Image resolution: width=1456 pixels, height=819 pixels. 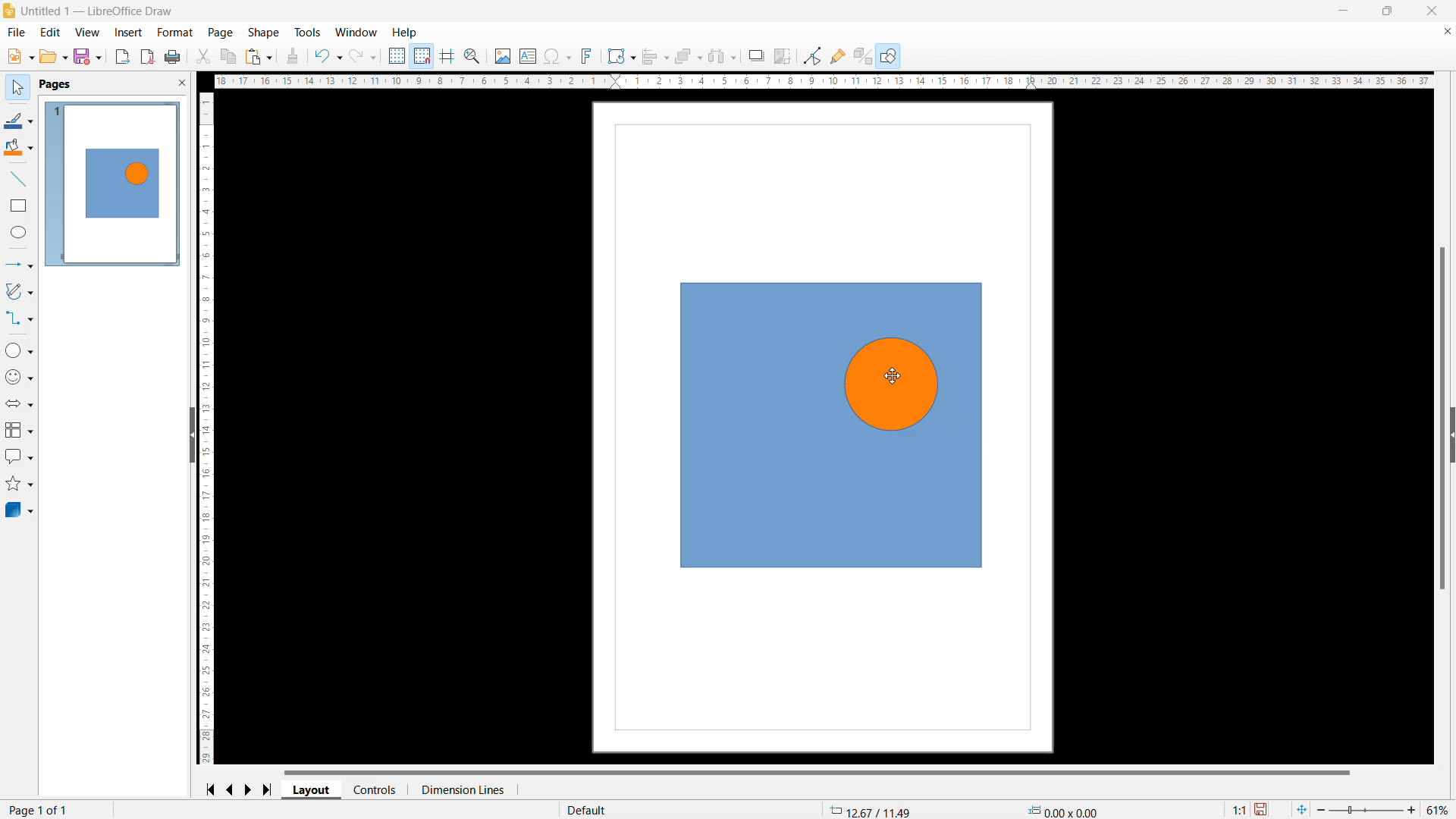 I want to click on clone formatting, so click(x=293, y=55).